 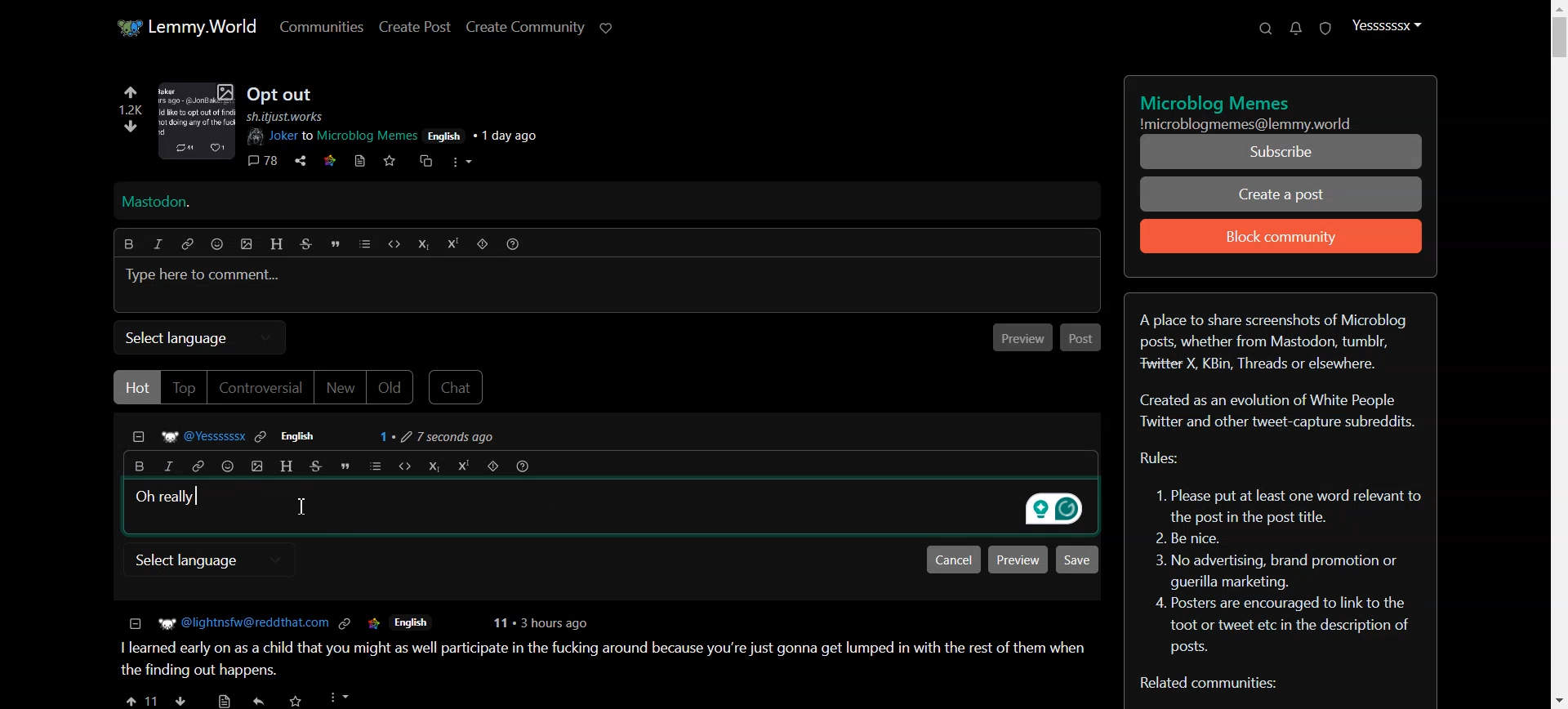 What do you see at coordinates (1281, 236) in the screenshot?
I see `Block community` at bounding box center [1281, 236].